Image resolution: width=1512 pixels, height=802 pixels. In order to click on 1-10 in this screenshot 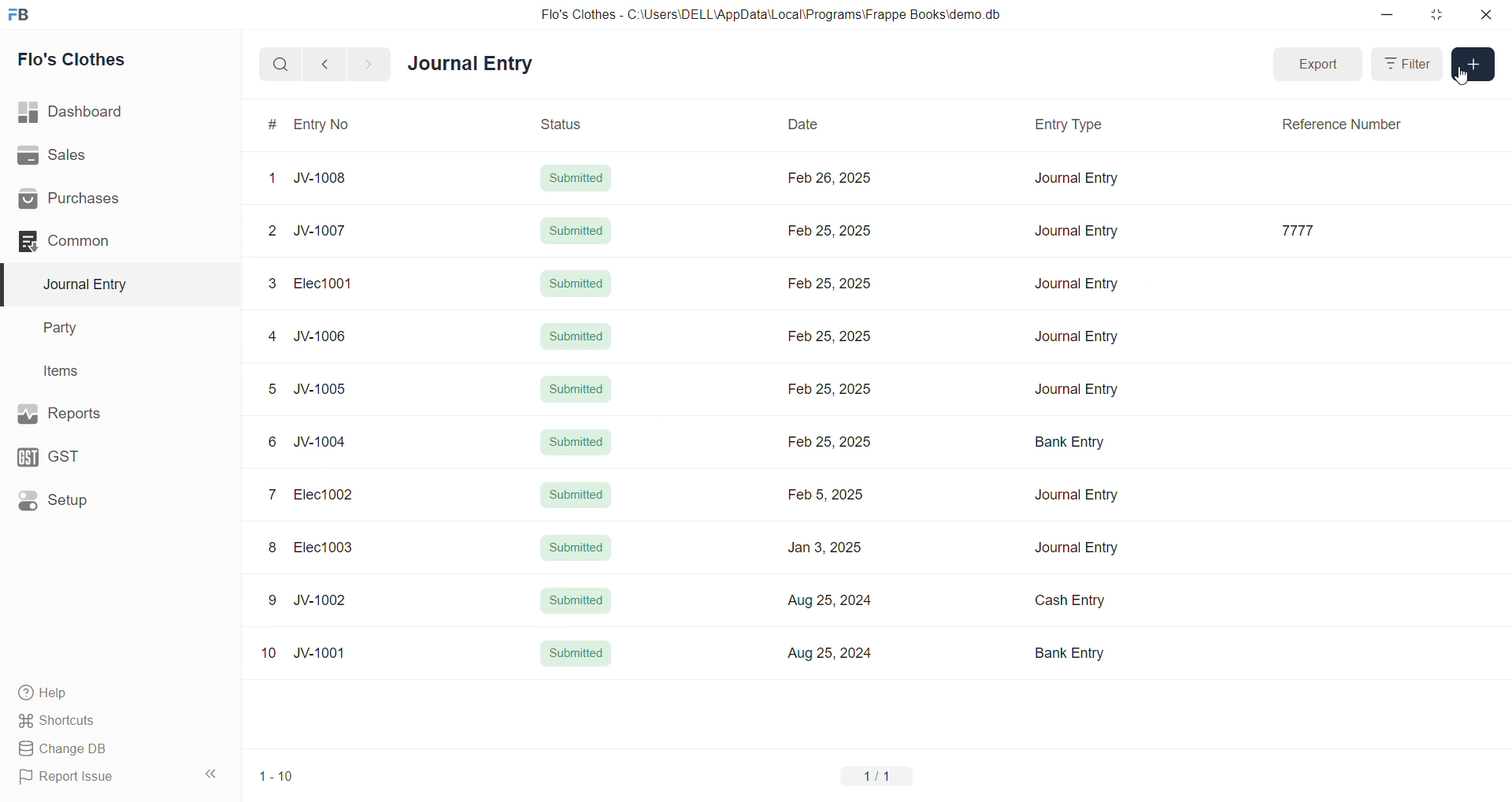, I will do `click(278, 776)`.